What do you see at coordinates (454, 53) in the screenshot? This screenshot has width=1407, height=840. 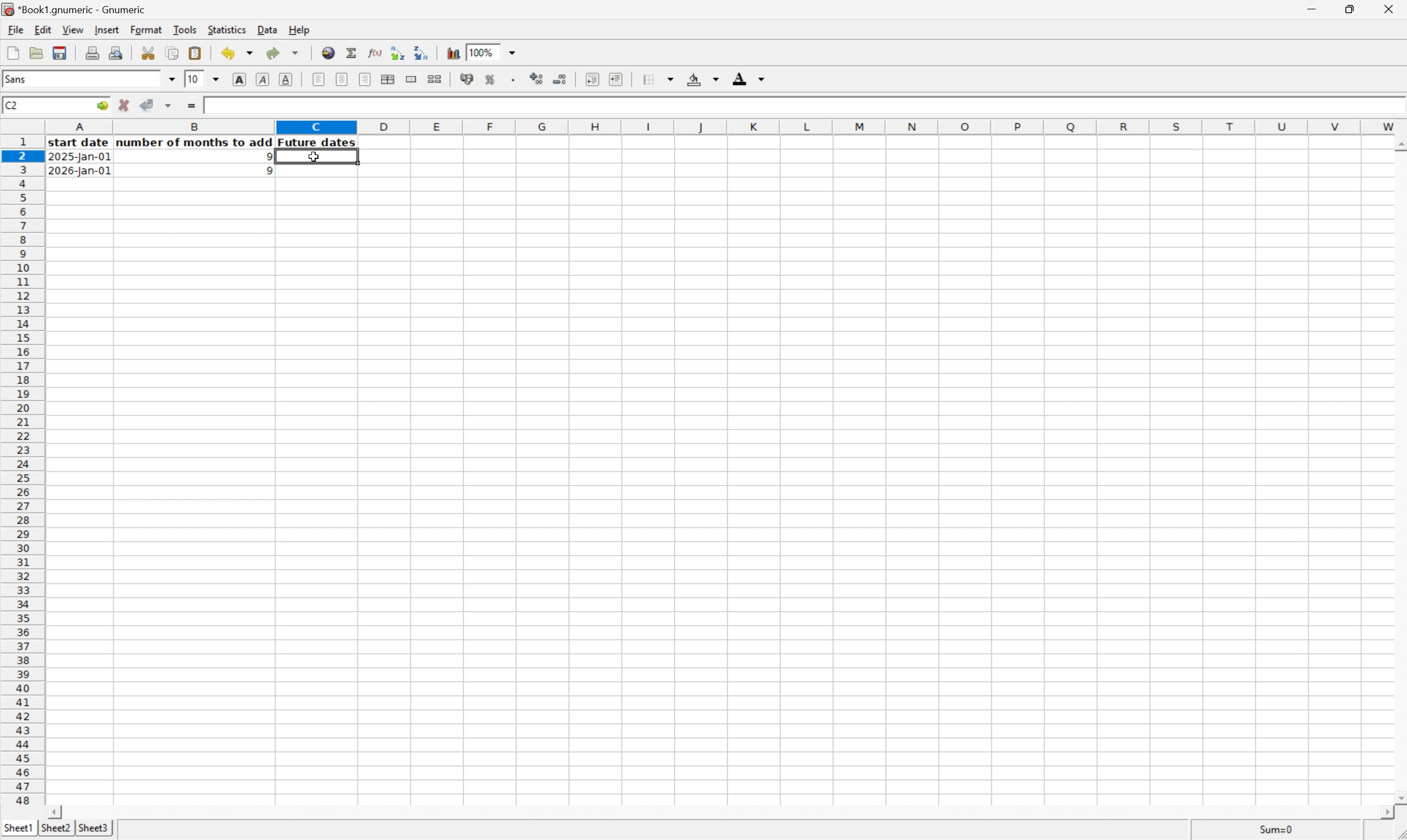 I see `Insert a chart` at bounding box center [454, 53].